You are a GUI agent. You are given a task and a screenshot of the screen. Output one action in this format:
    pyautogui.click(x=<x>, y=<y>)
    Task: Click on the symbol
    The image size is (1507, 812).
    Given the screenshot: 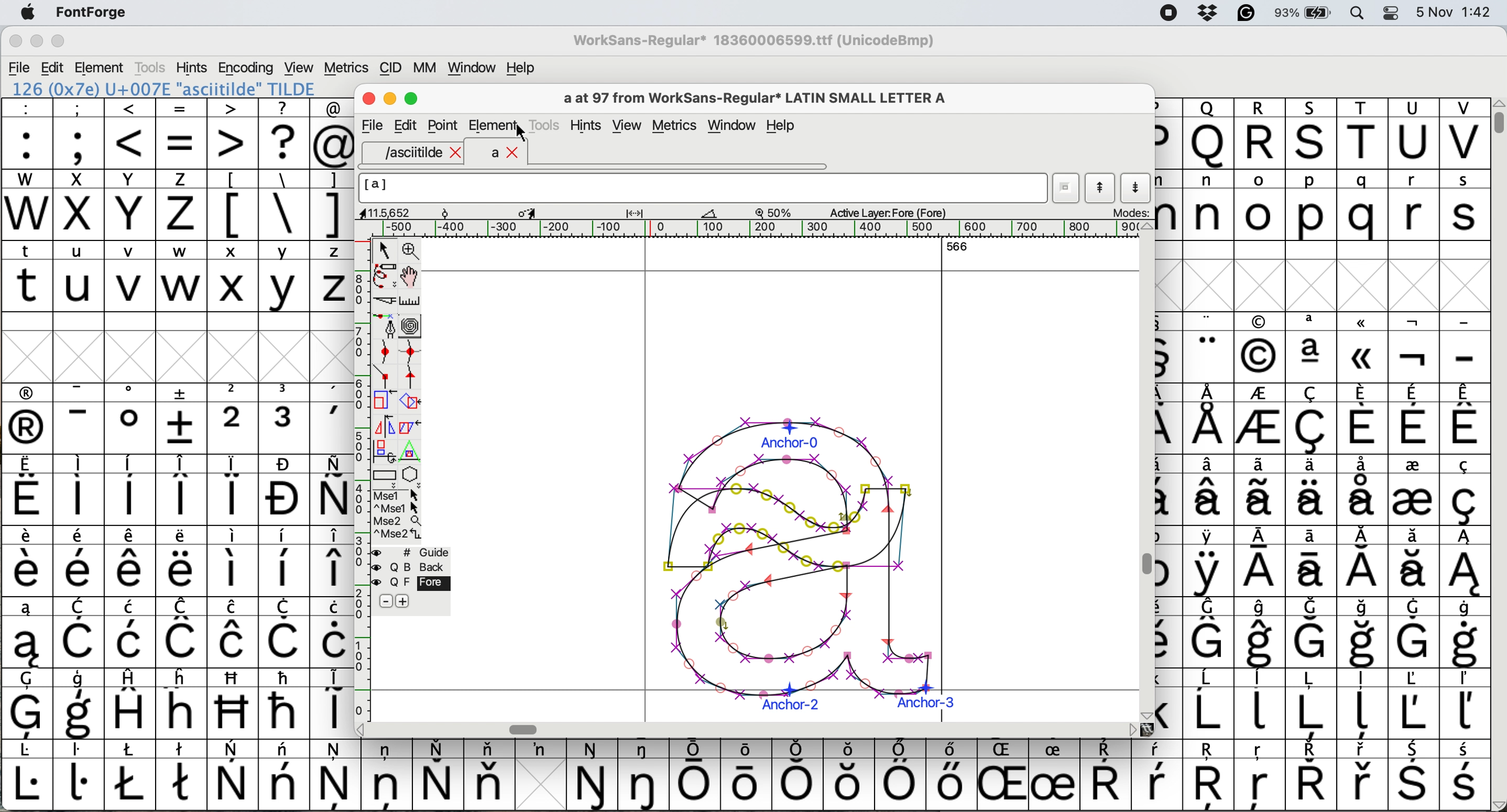 What is the action you would take?
    pyautogui.click(x=1413, y=562)
    